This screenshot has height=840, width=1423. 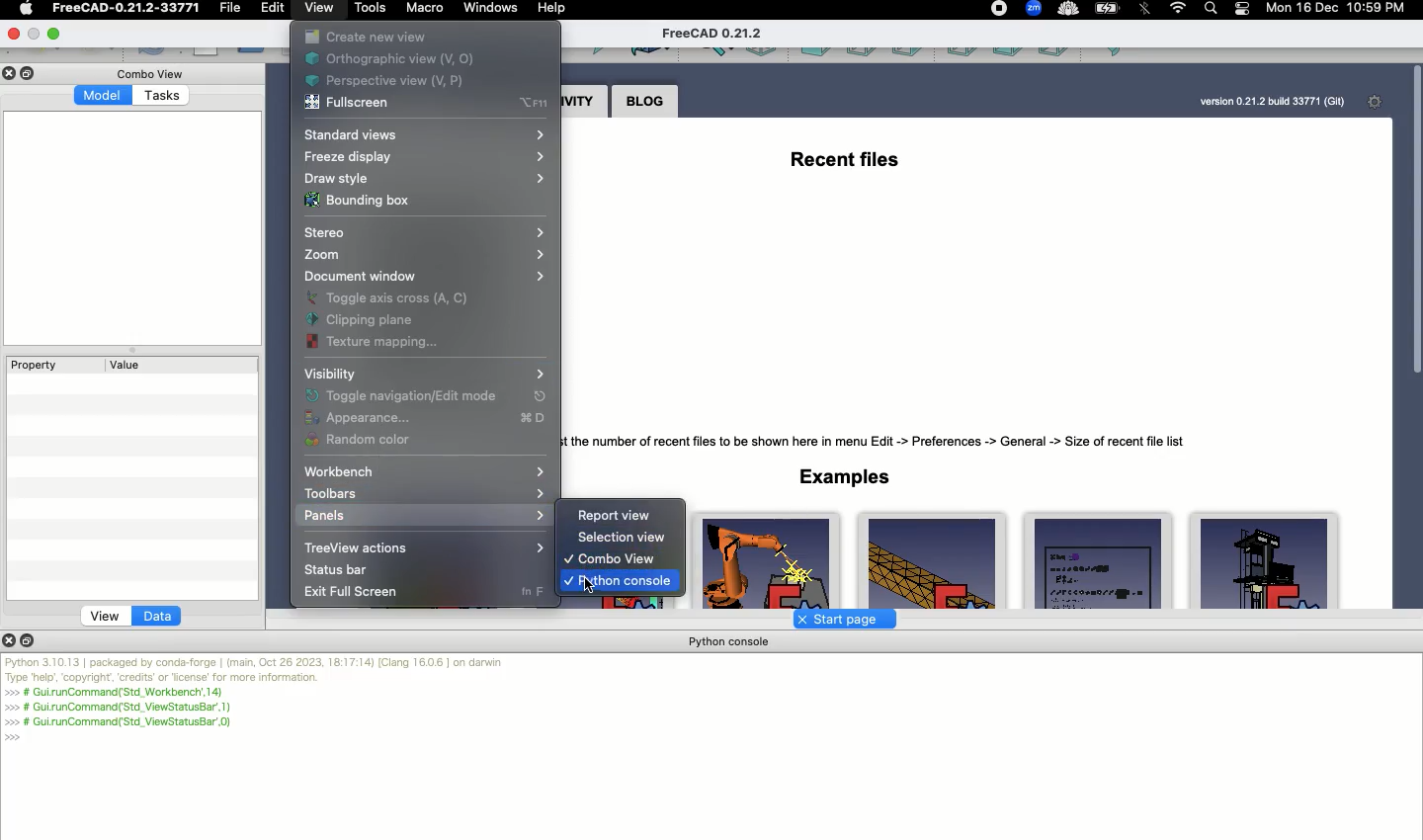 What do you see at coordinates (106, 616) in the screenshot?
I see `View` at bounding box center [106, 616].